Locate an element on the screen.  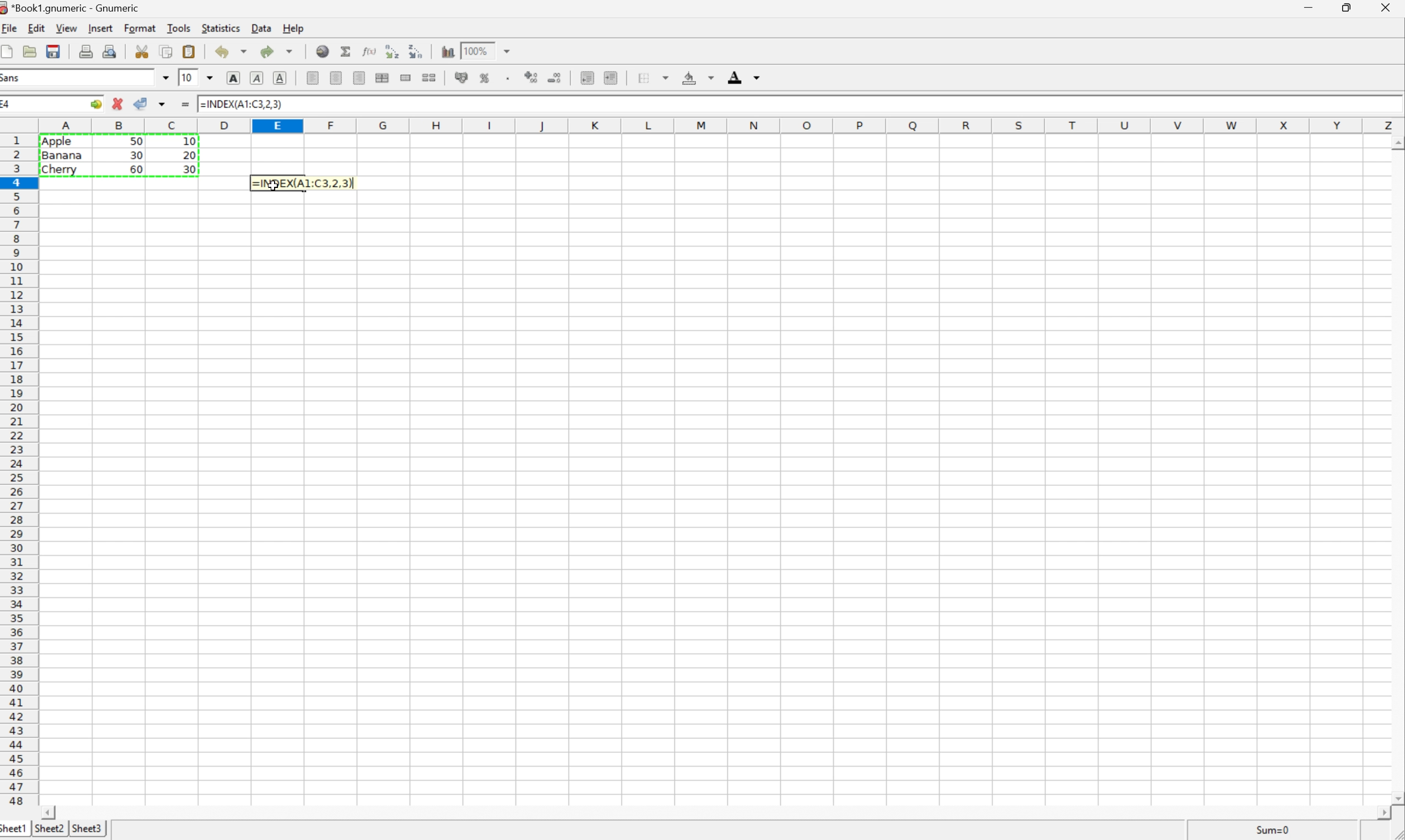
save is located at coordinates (30, 50).